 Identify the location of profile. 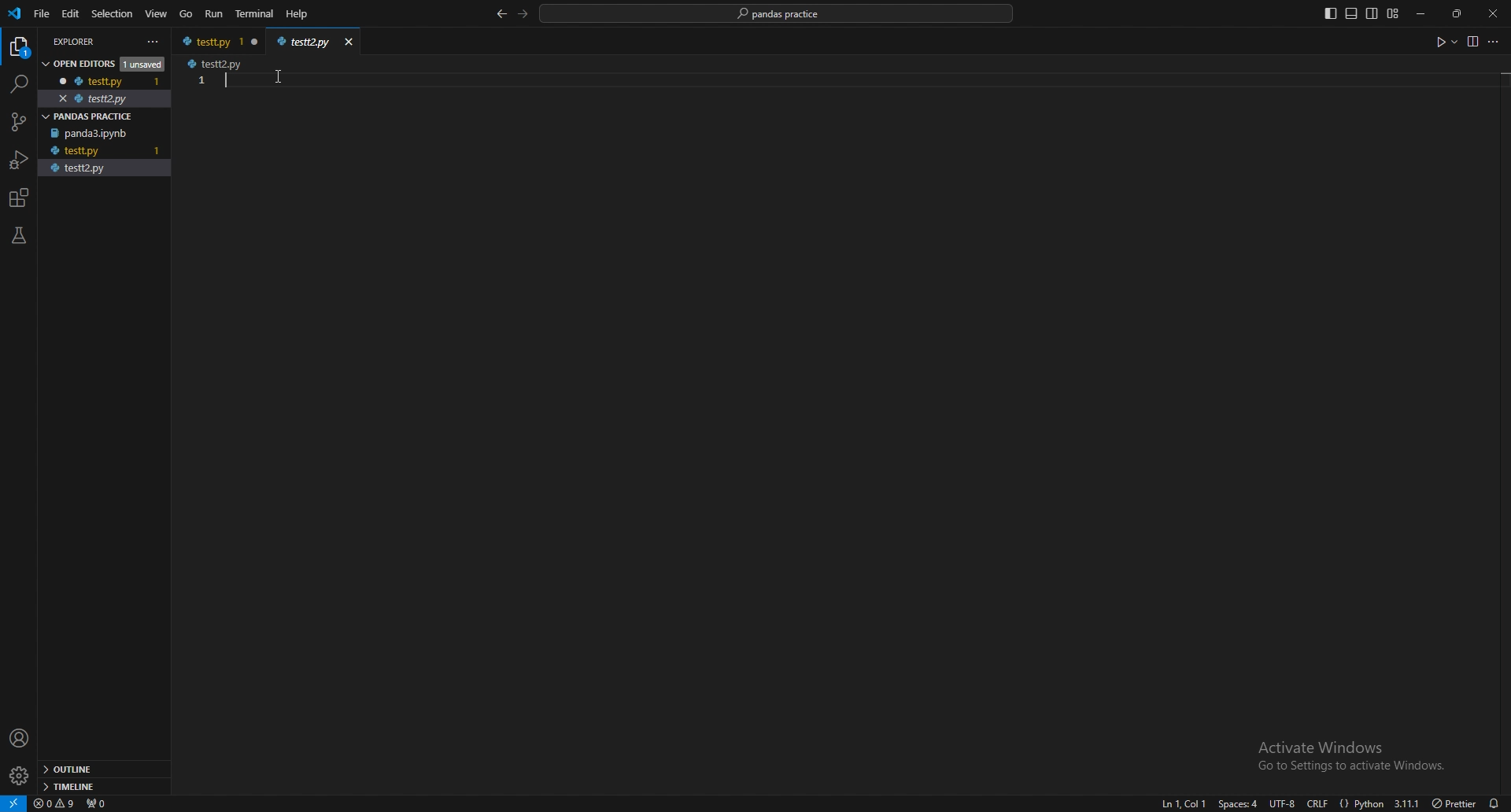
(20, 739).